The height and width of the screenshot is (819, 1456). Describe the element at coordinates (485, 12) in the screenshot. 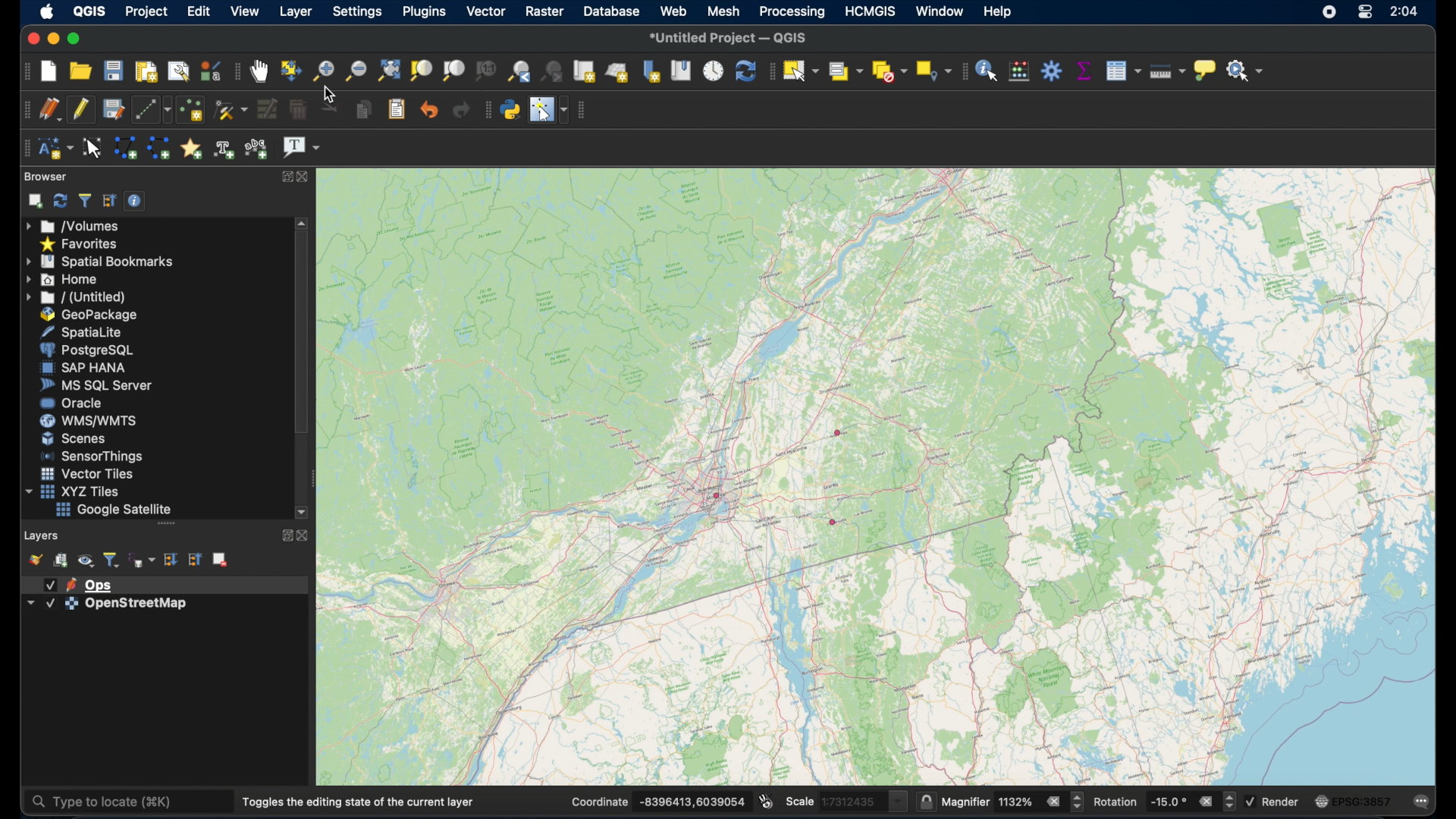

I see `vector` at that location.